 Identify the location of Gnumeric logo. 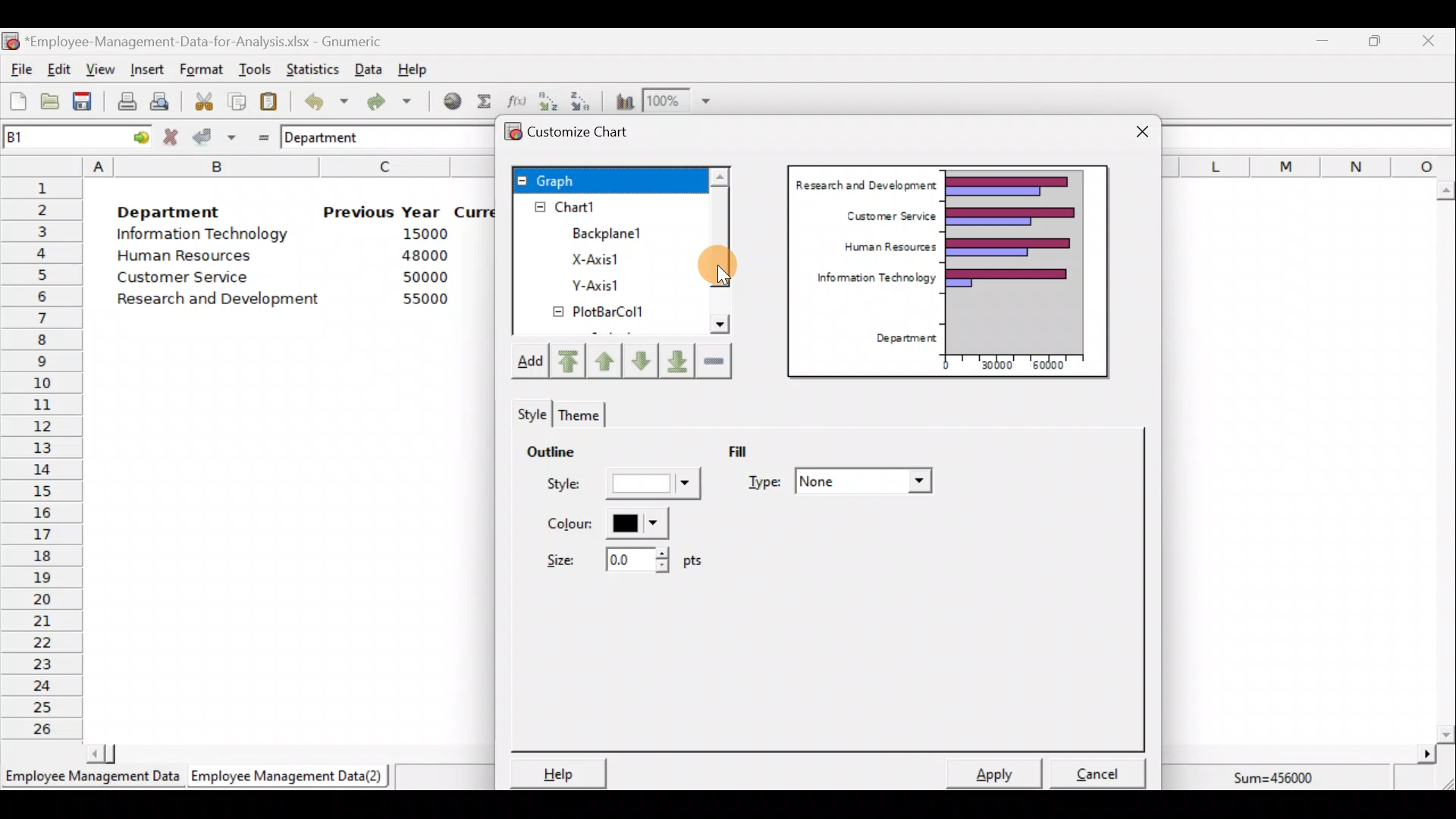
(11, 42).